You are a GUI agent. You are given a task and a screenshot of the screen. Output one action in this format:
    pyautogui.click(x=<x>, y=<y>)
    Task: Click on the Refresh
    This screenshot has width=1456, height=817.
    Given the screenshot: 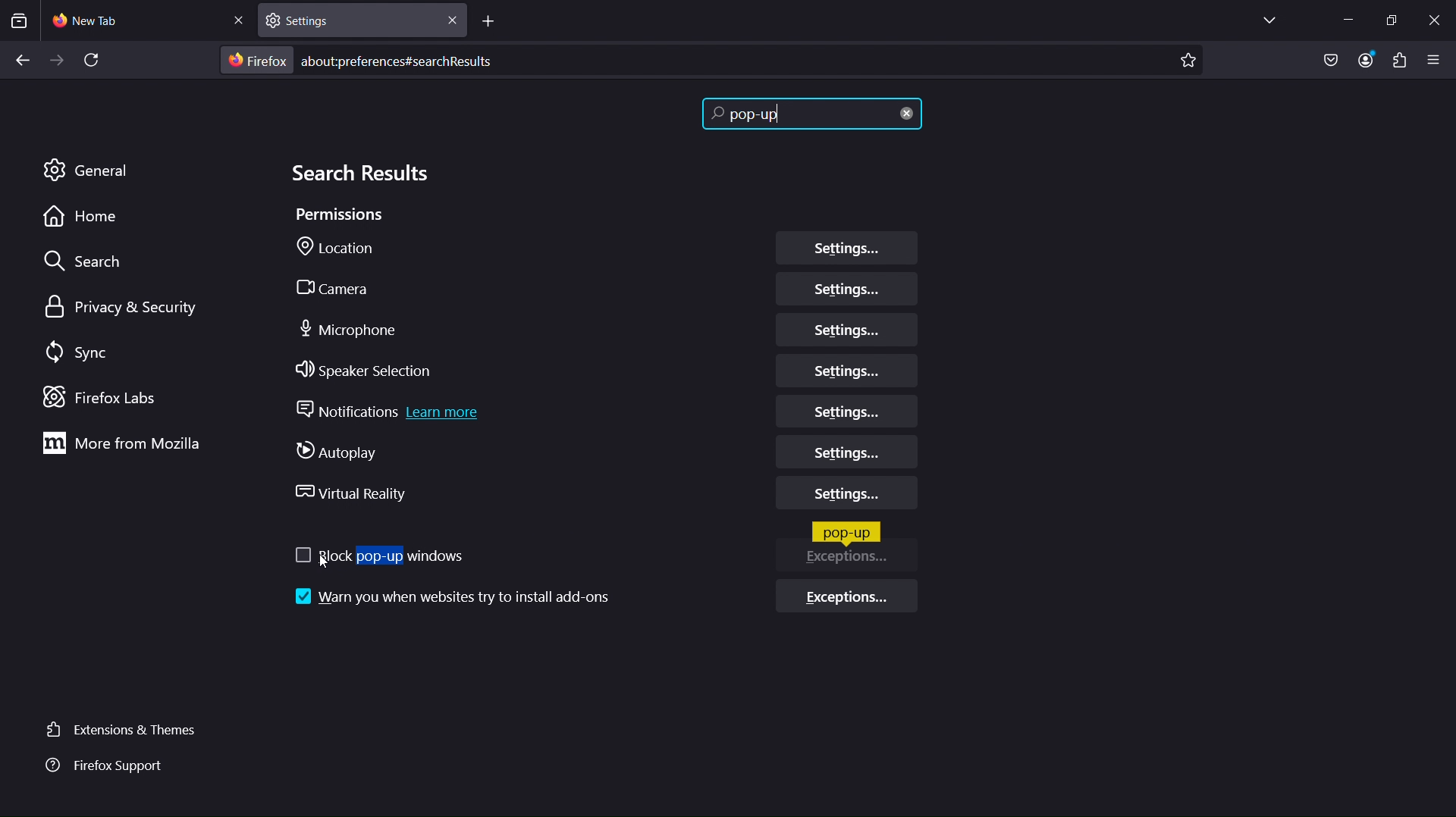 What is the action you would take?
    pyautogui.click(x=98, y=61)
    